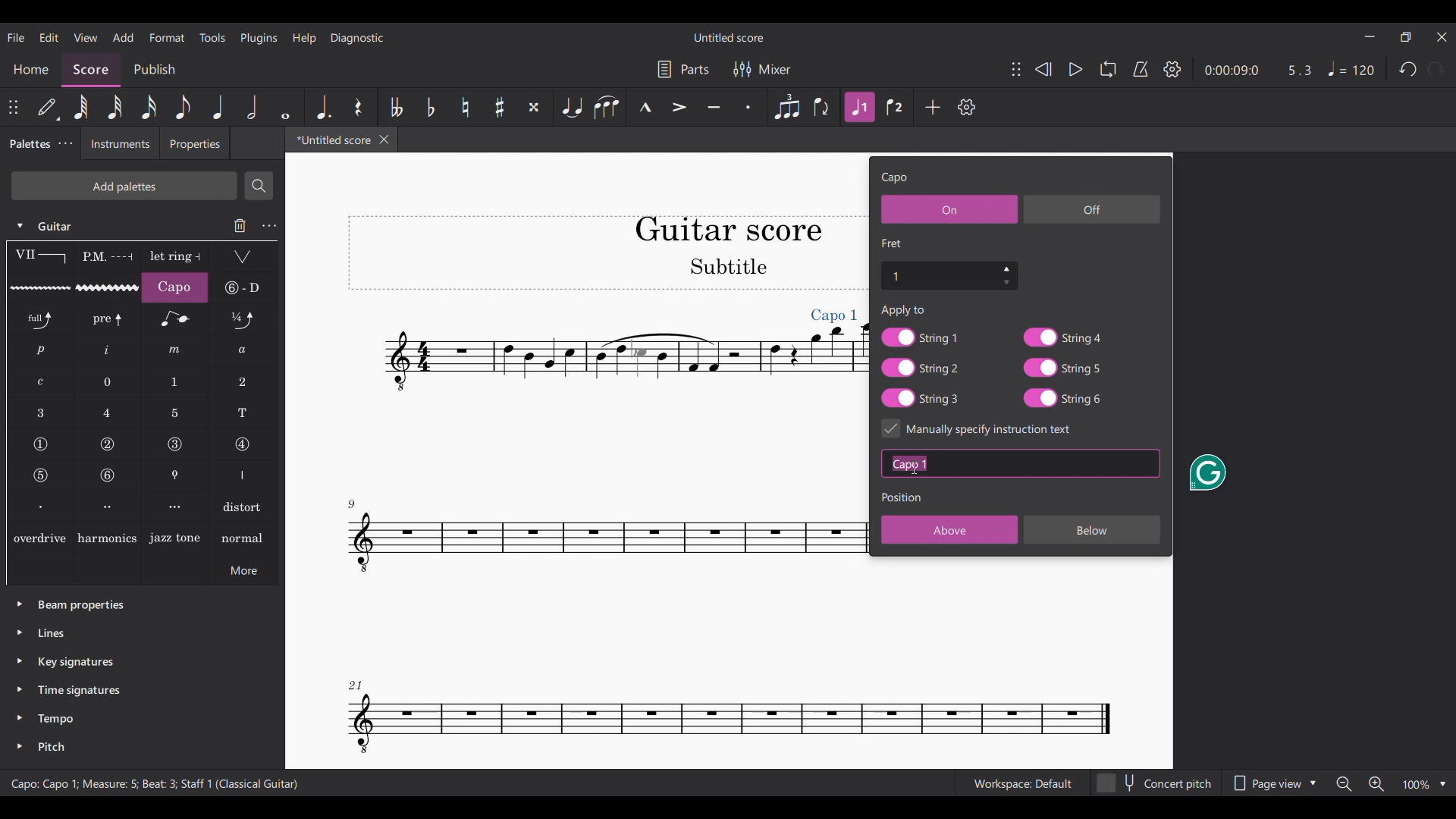 The width and height of the screenshot is (1456, 819). Describe the element at coordinates (41, 350) in the screenshot. I see `RH guitar fingering p` at that location.